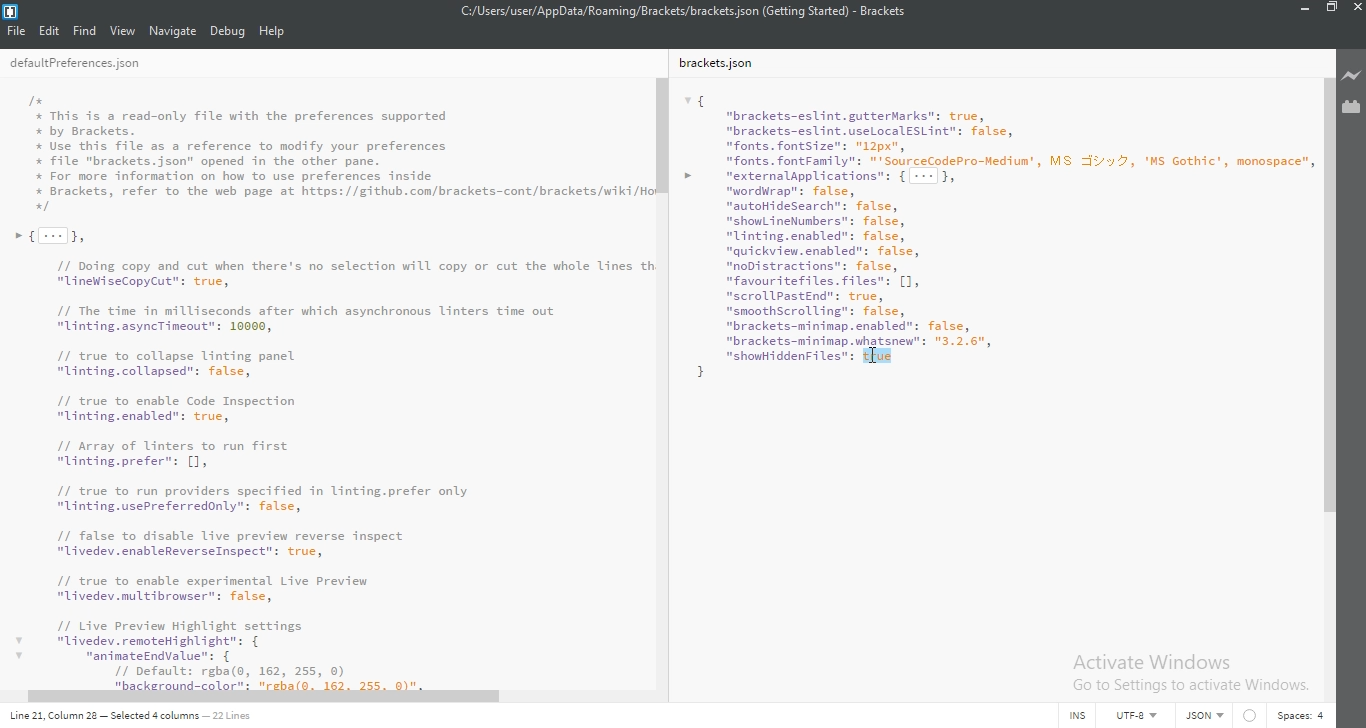 The height and width of the screenshot is (728, 1366). Describe the element at coordinates (1351, 76) in the screenshot. I see `live preview` at that location.